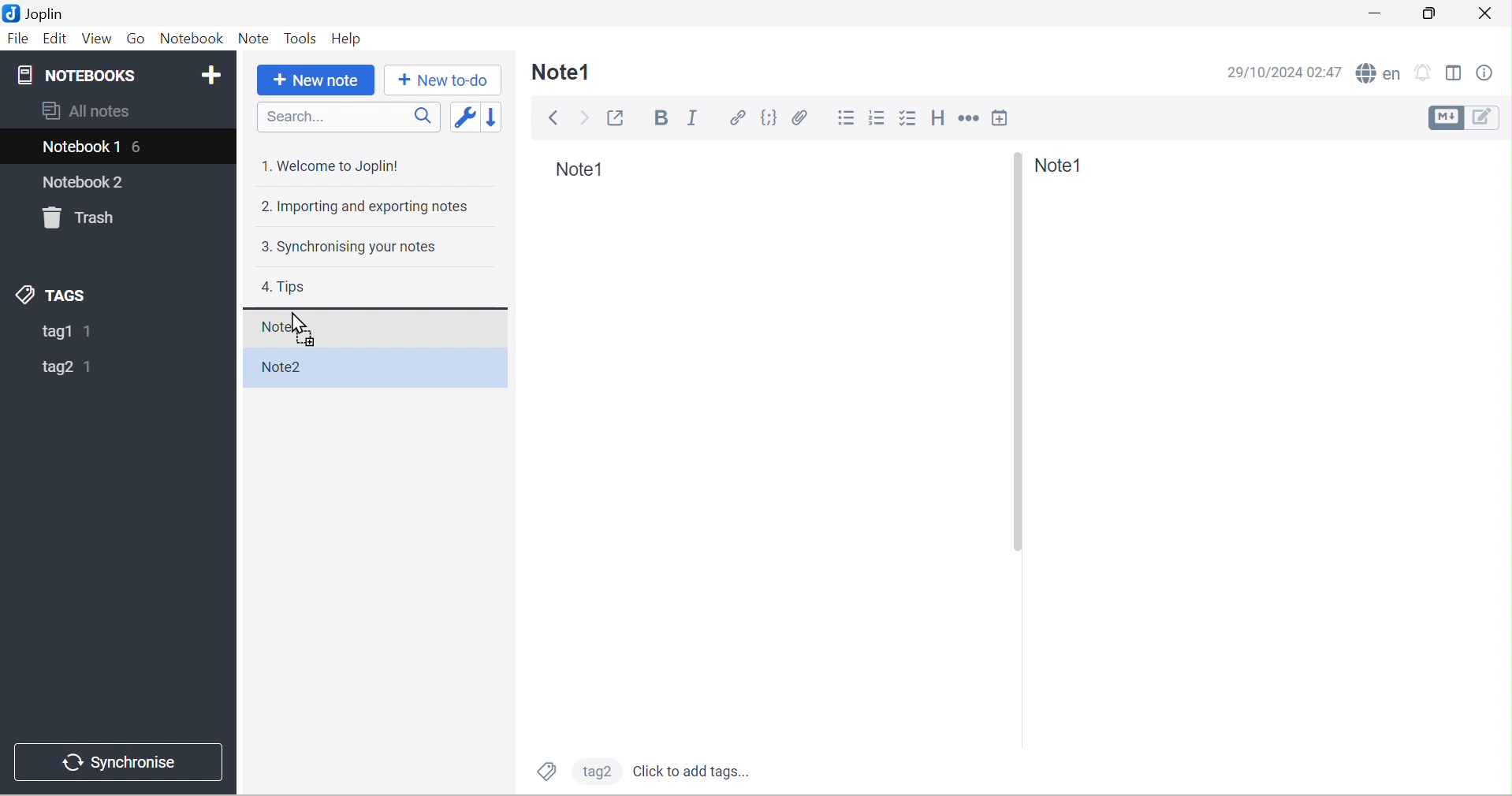 The width and height of the screenshot is (1512, 796). I want to click on Click to add tags..., so click(690, 772).